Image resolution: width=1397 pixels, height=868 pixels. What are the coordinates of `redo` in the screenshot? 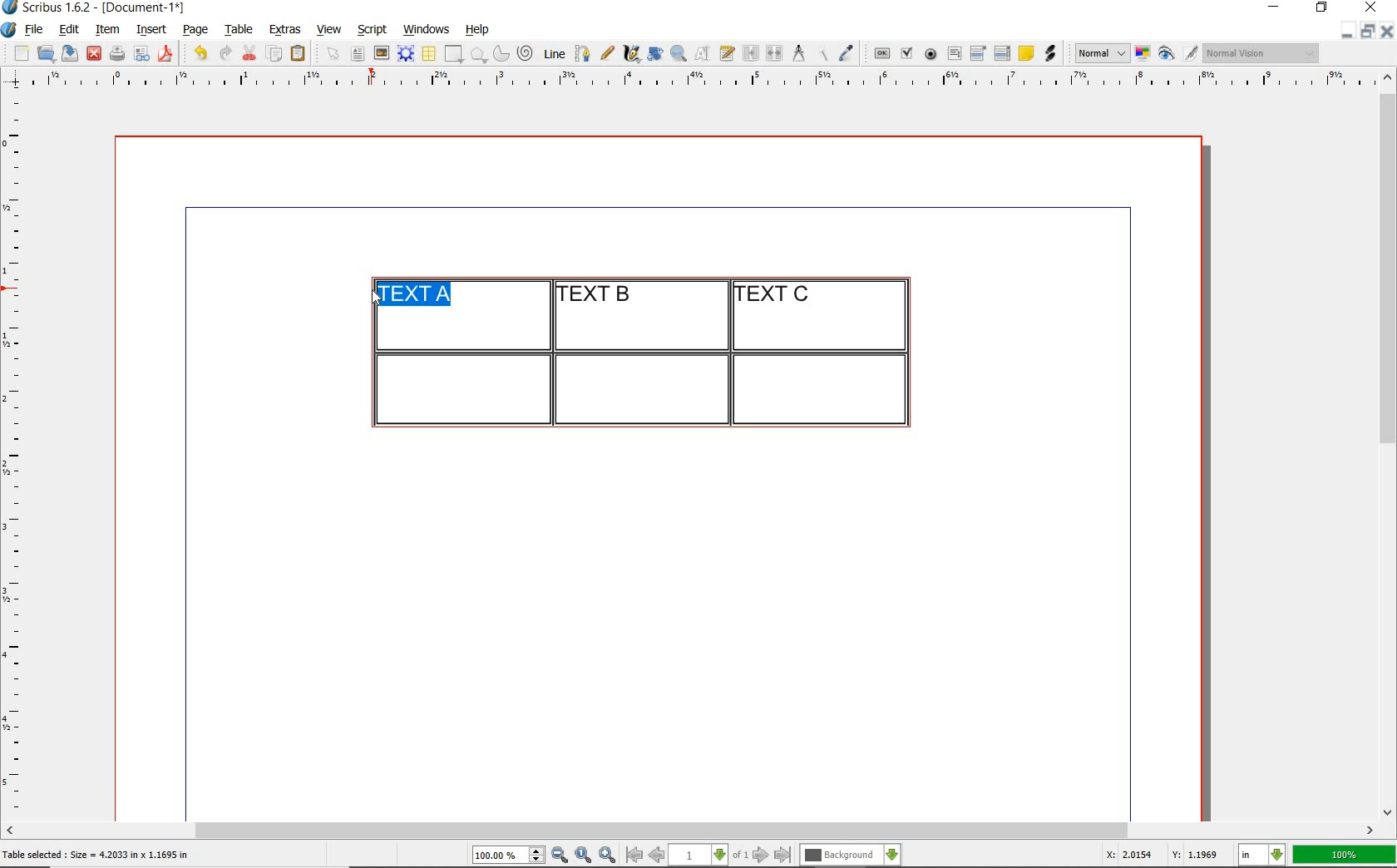 It's located at (224, 52).